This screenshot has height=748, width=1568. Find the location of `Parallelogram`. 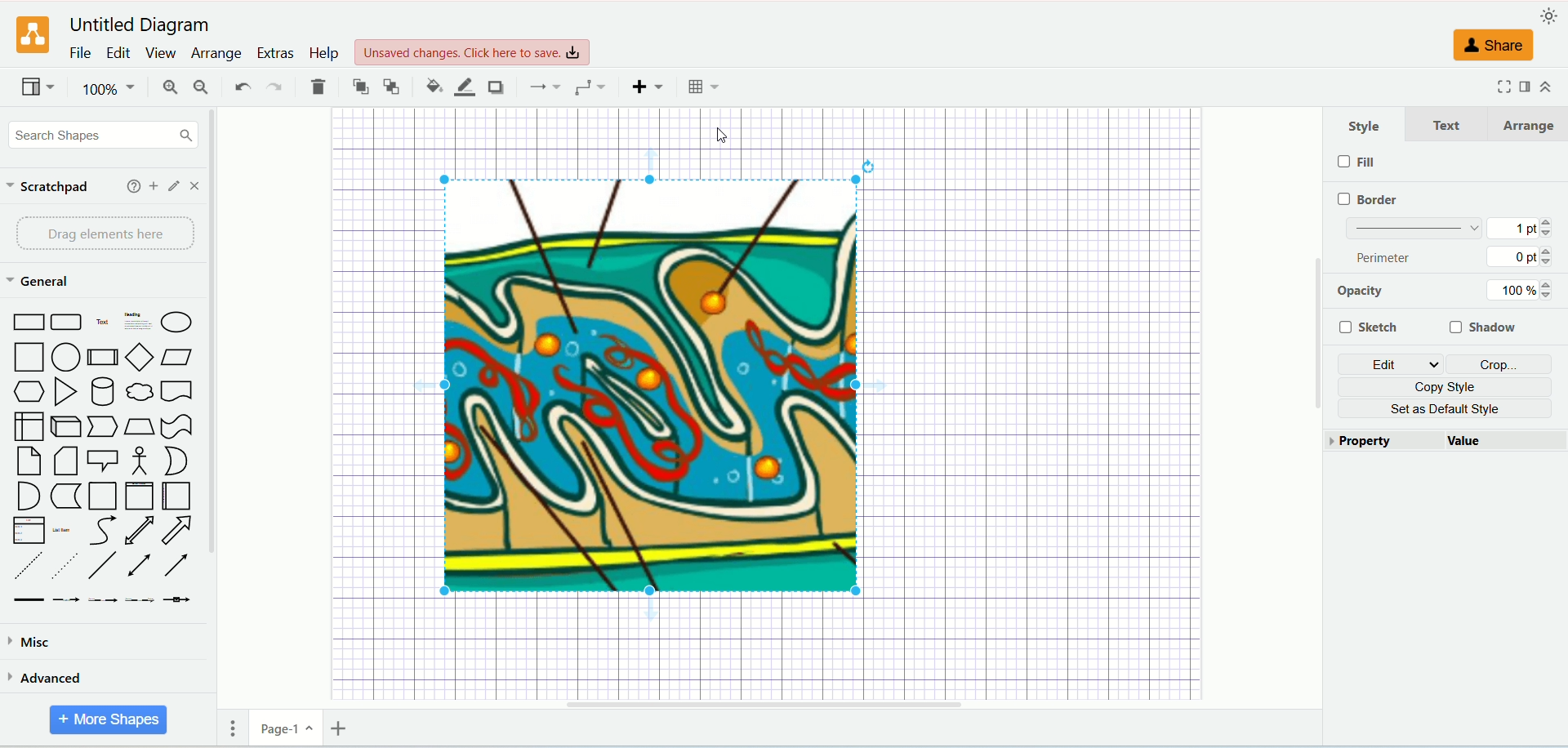

Parallelogram is located at coordinates (180, 359).